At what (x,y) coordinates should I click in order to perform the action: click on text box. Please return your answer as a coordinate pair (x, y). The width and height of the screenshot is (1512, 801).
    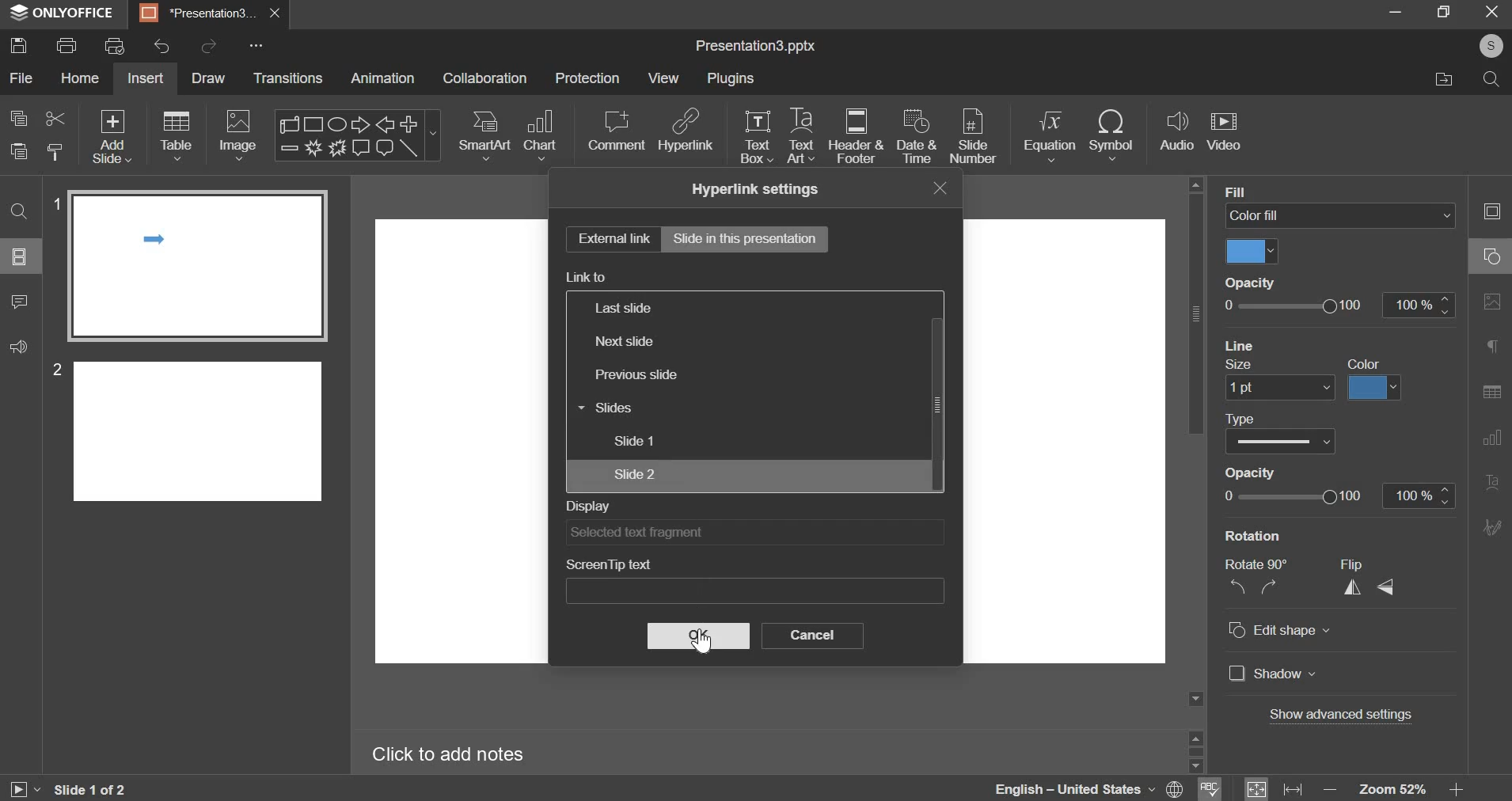
    Looking at the image, I should click on (757, 137).